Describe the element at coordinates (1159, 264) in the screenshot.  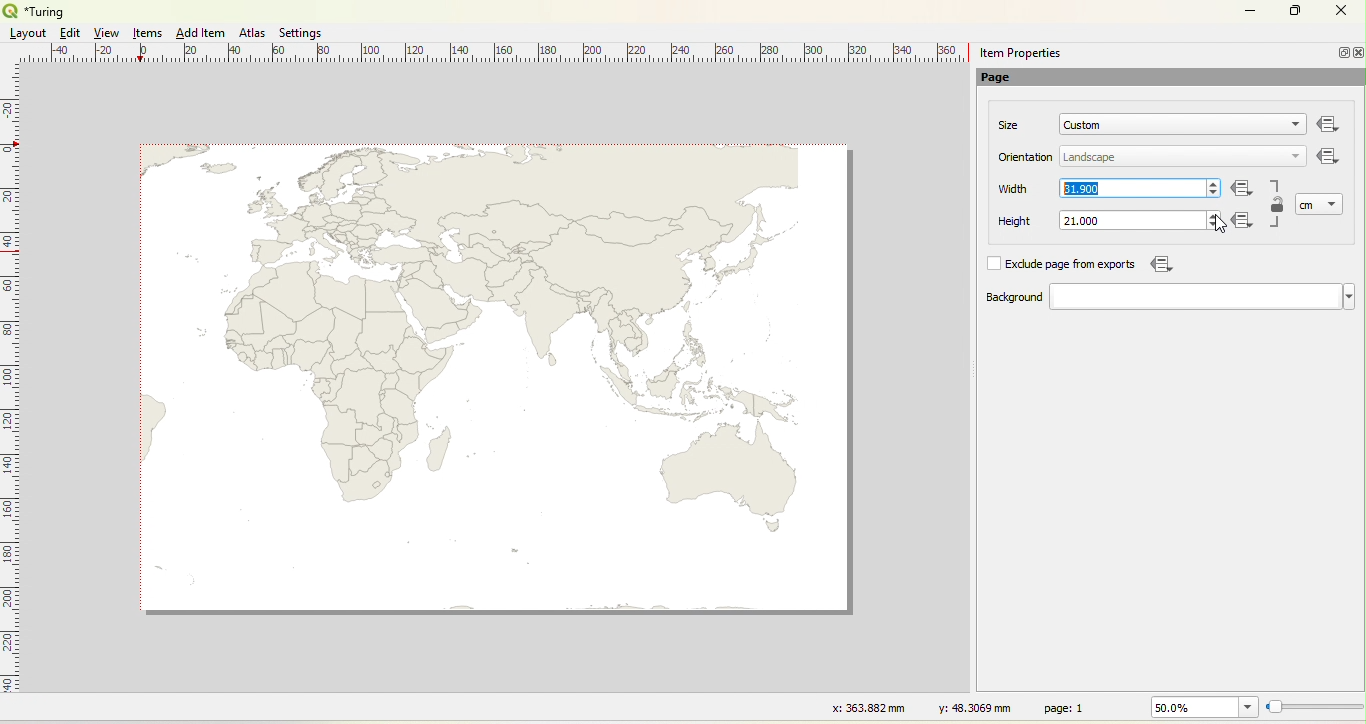
I see `Icon` at that location.